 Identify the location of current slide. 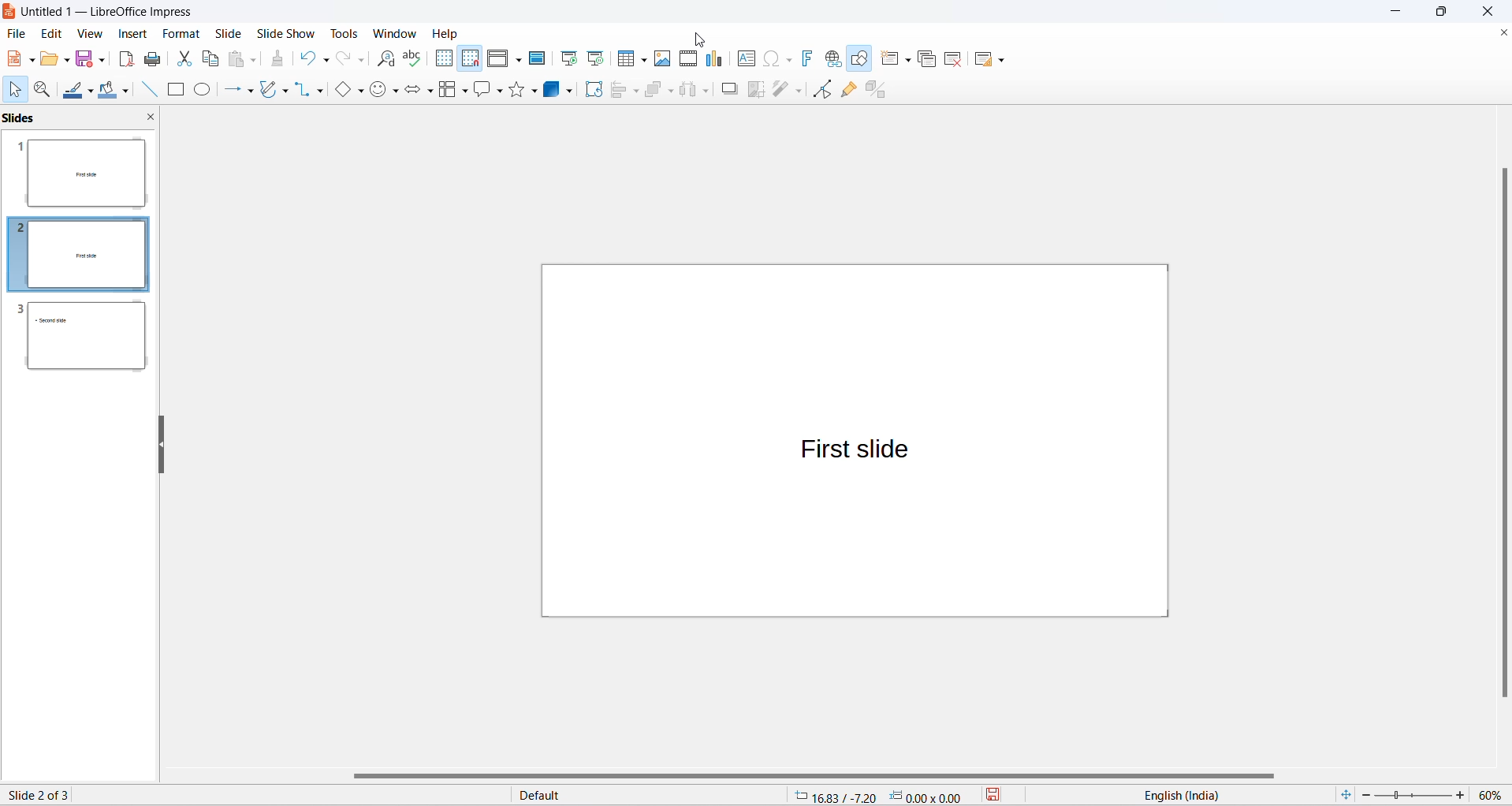
(39, 793).